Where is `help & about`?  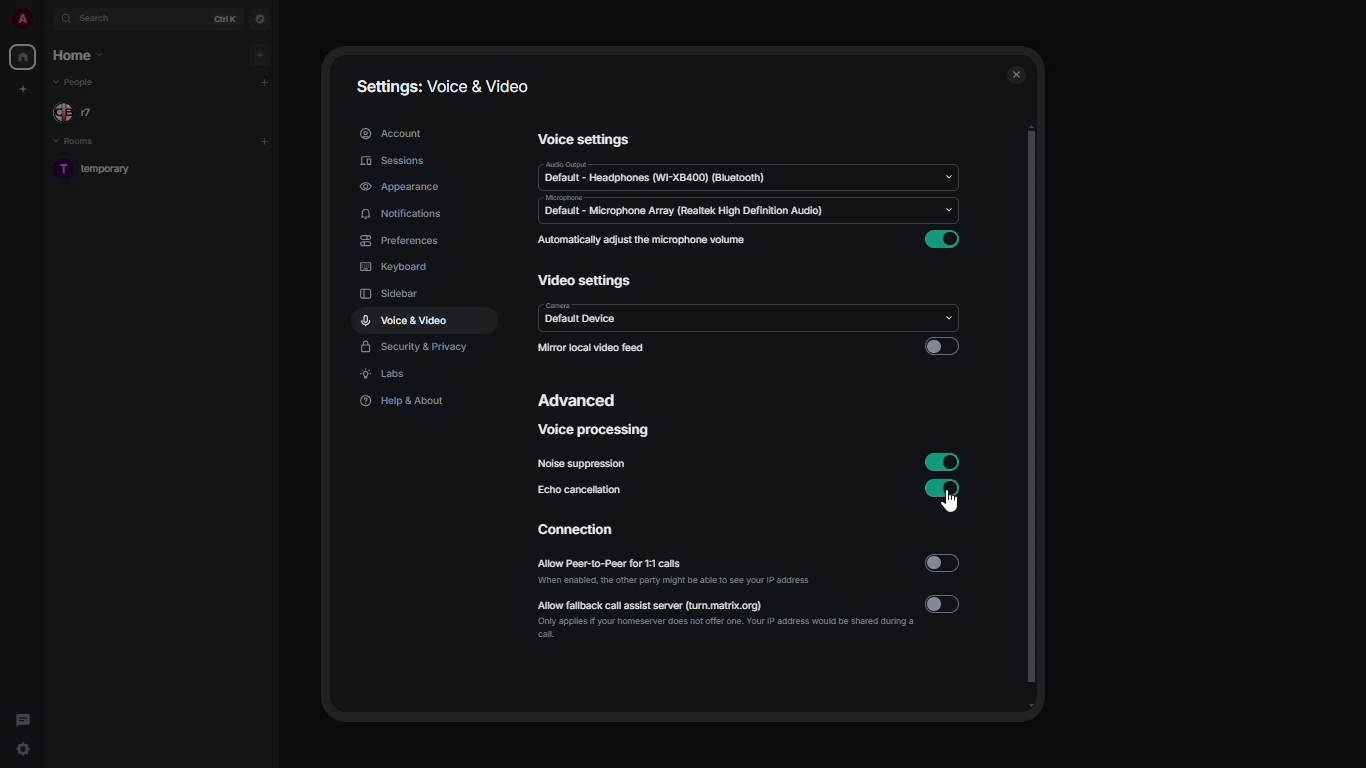 help & about is located at coordinates (404, 398).